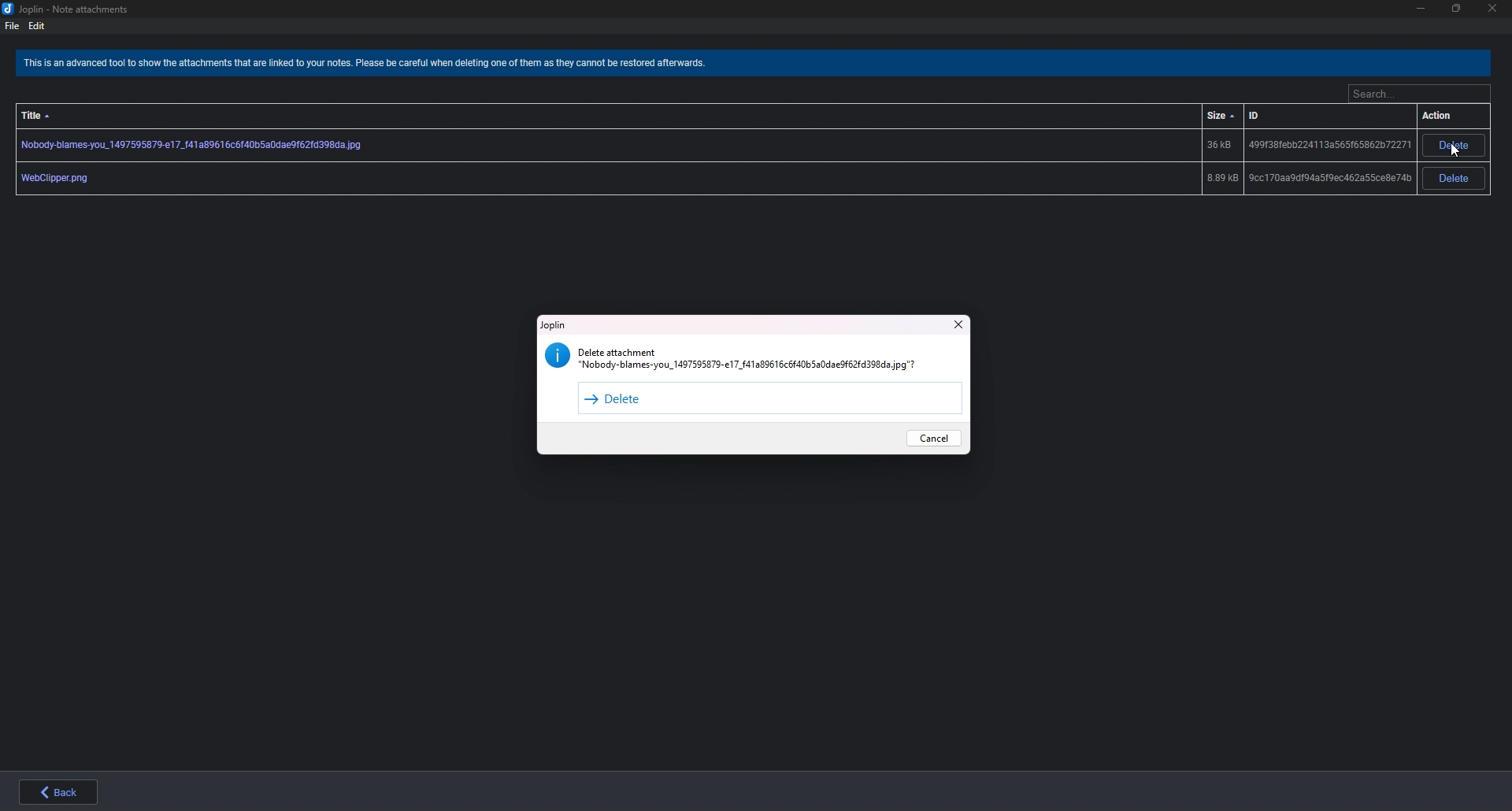 The height and width of the screenshot is (811, 1512). Describe the element at coordinates (934, 438) in the screenshot. I see `Cancel` at that location.